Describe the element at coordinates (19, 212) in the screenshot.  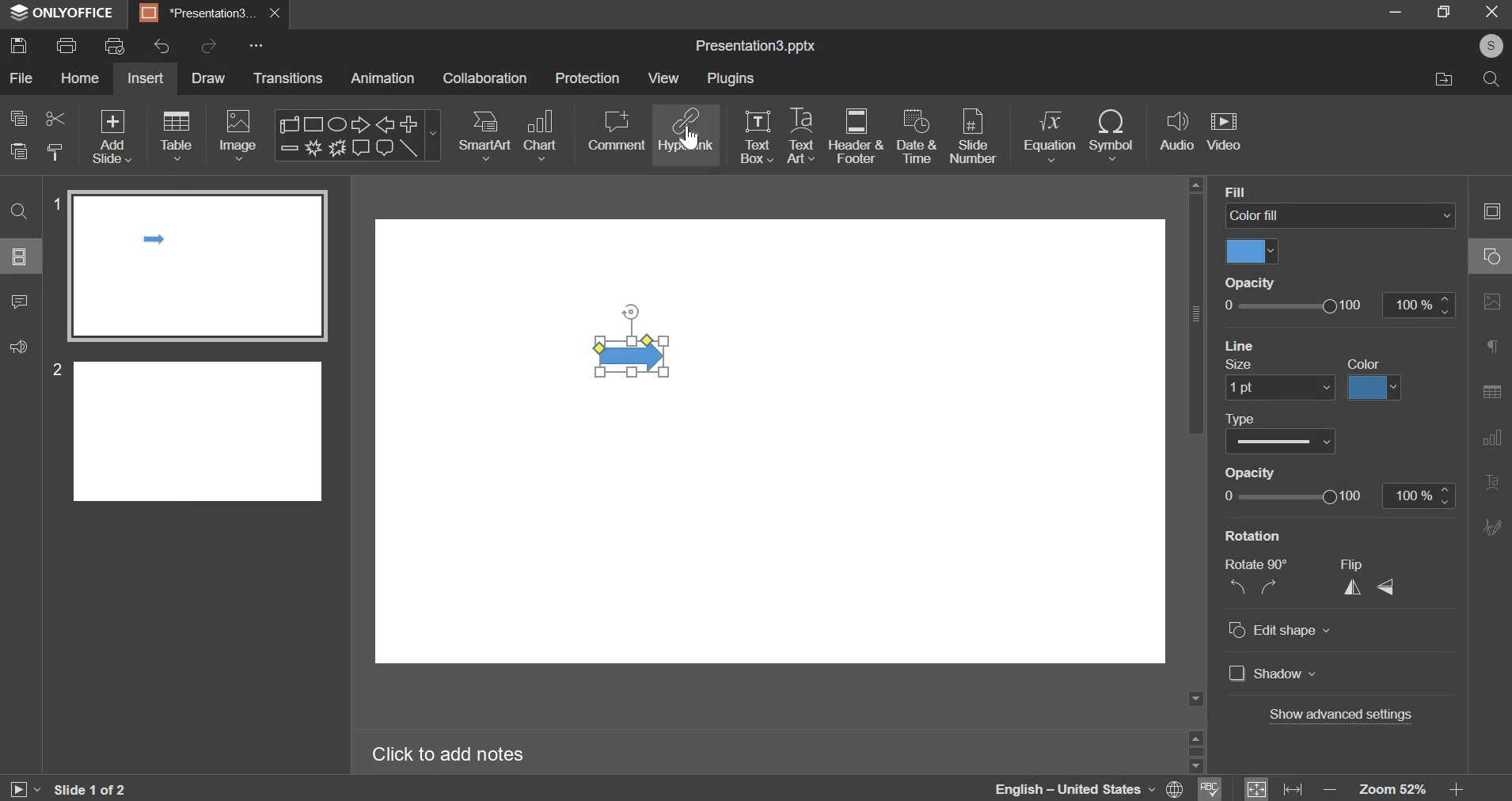
I see `find` at that location.